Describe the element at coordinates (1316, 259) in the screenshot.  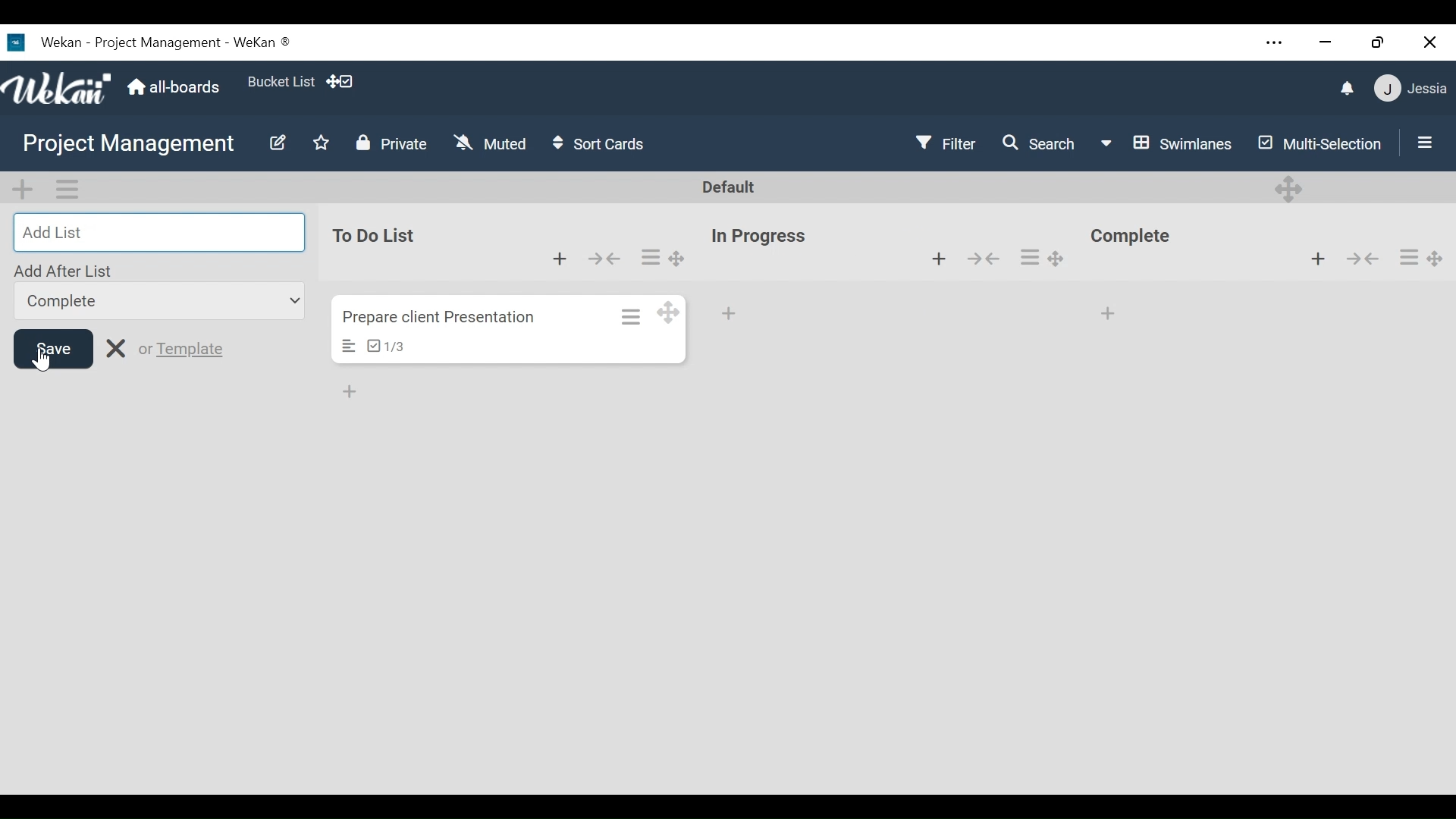
I see `Add card to the top of the list` at that location.